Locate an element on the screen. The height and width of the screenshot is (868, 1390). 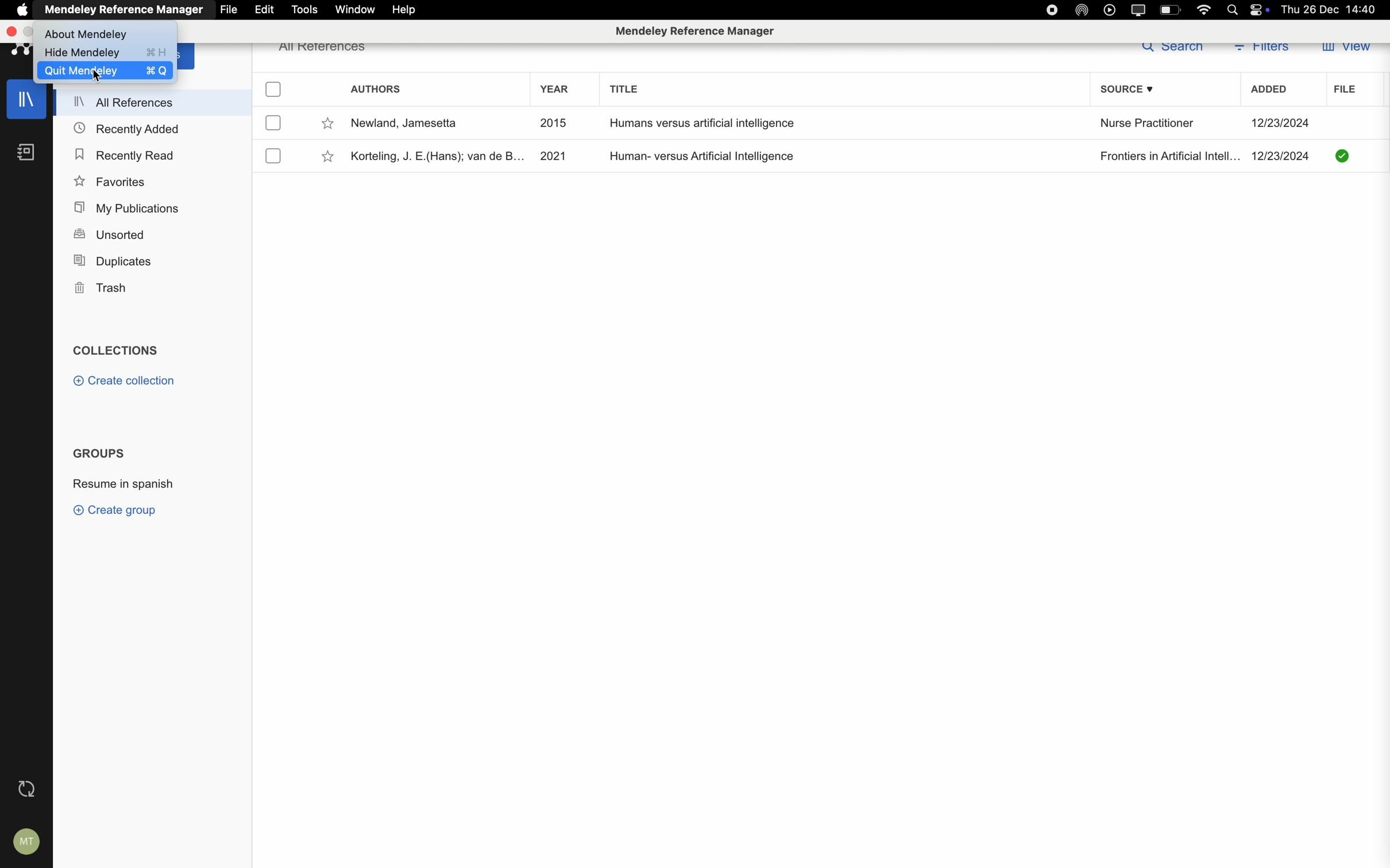
battery is located at coordinates (1169, 10).